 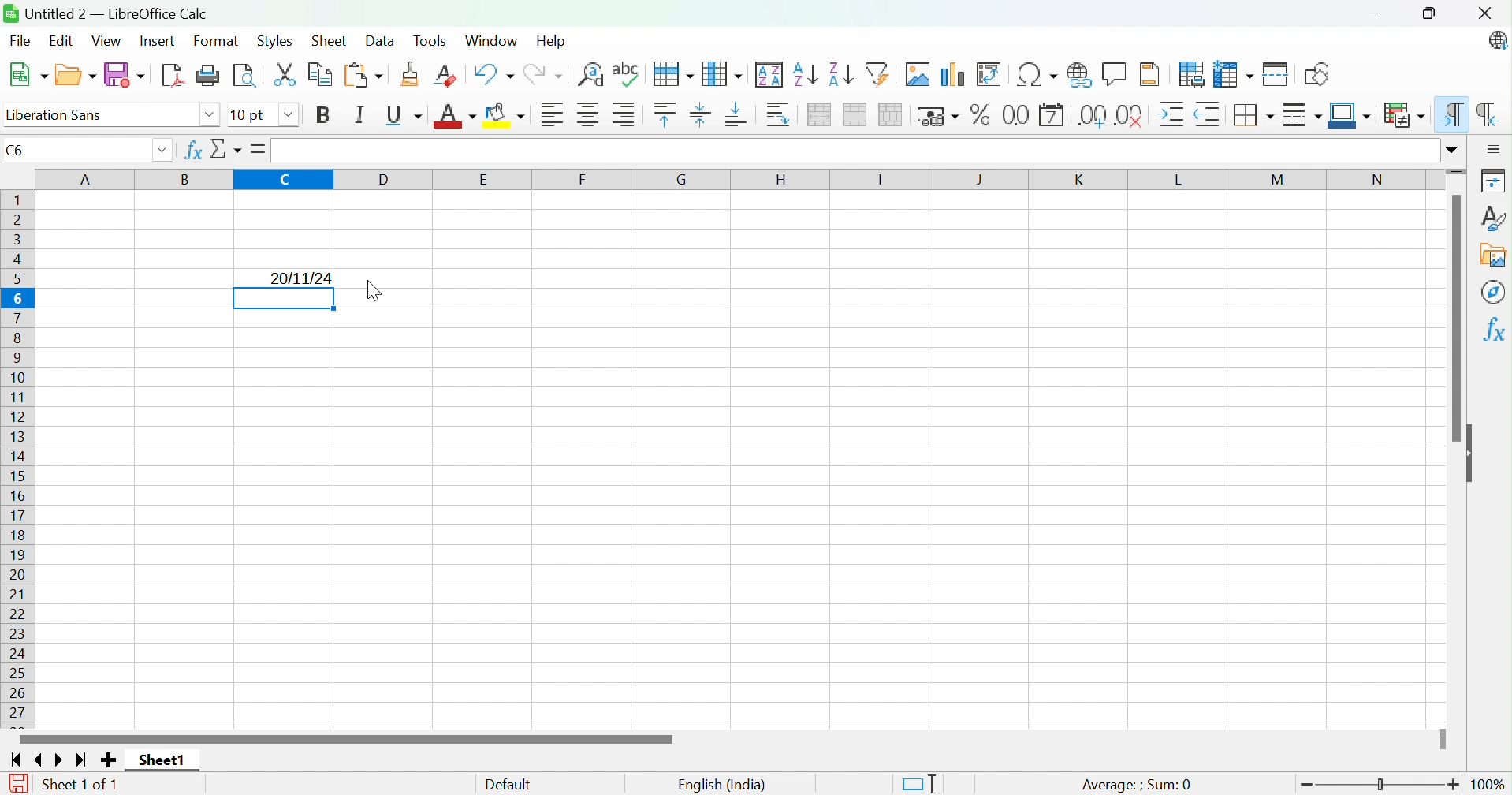 I want to click on Tick, so click(x=253, y=149).